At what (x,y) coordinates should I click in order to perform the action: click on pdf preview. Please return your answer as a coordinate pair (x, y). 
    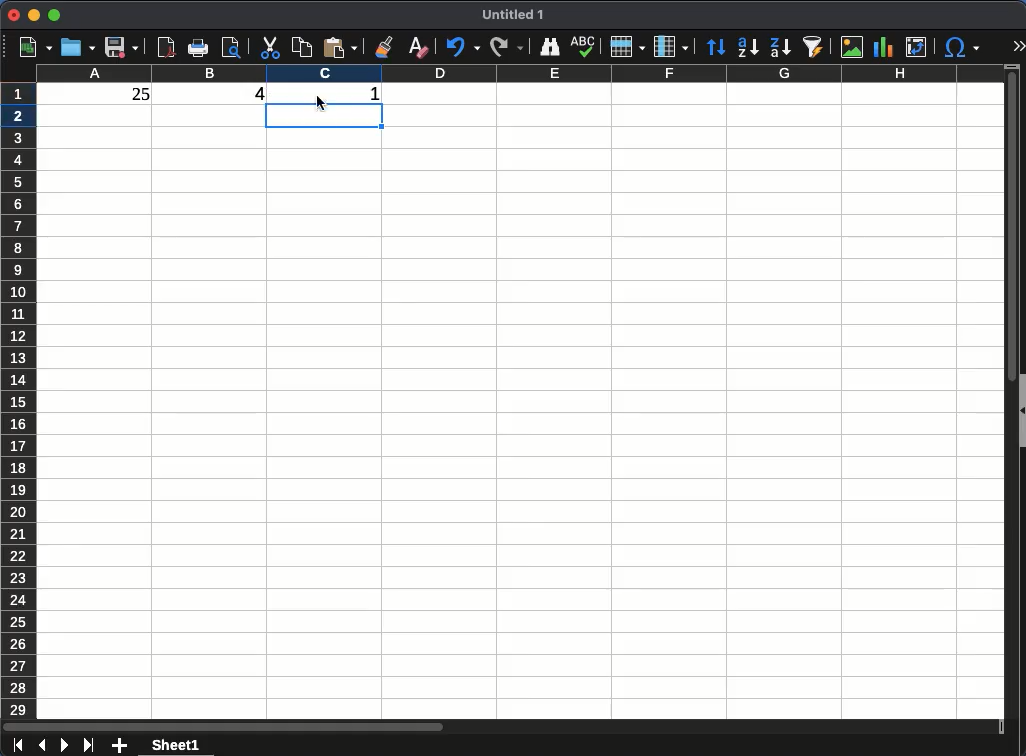
    Looking at the image, I should click on (166, 49).